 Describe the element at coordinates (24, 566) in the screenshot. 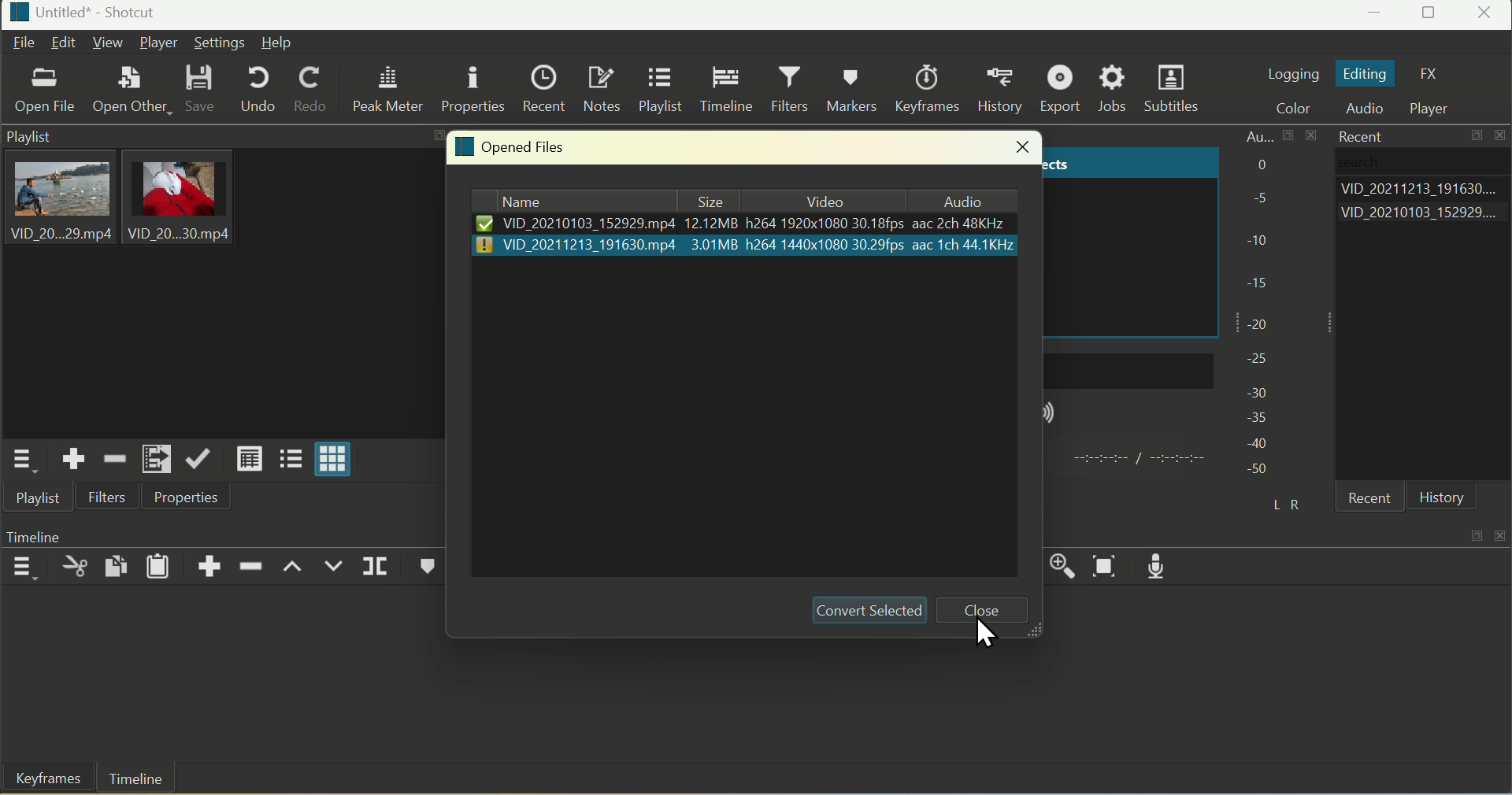

I see `Timeline Menu` at that location.